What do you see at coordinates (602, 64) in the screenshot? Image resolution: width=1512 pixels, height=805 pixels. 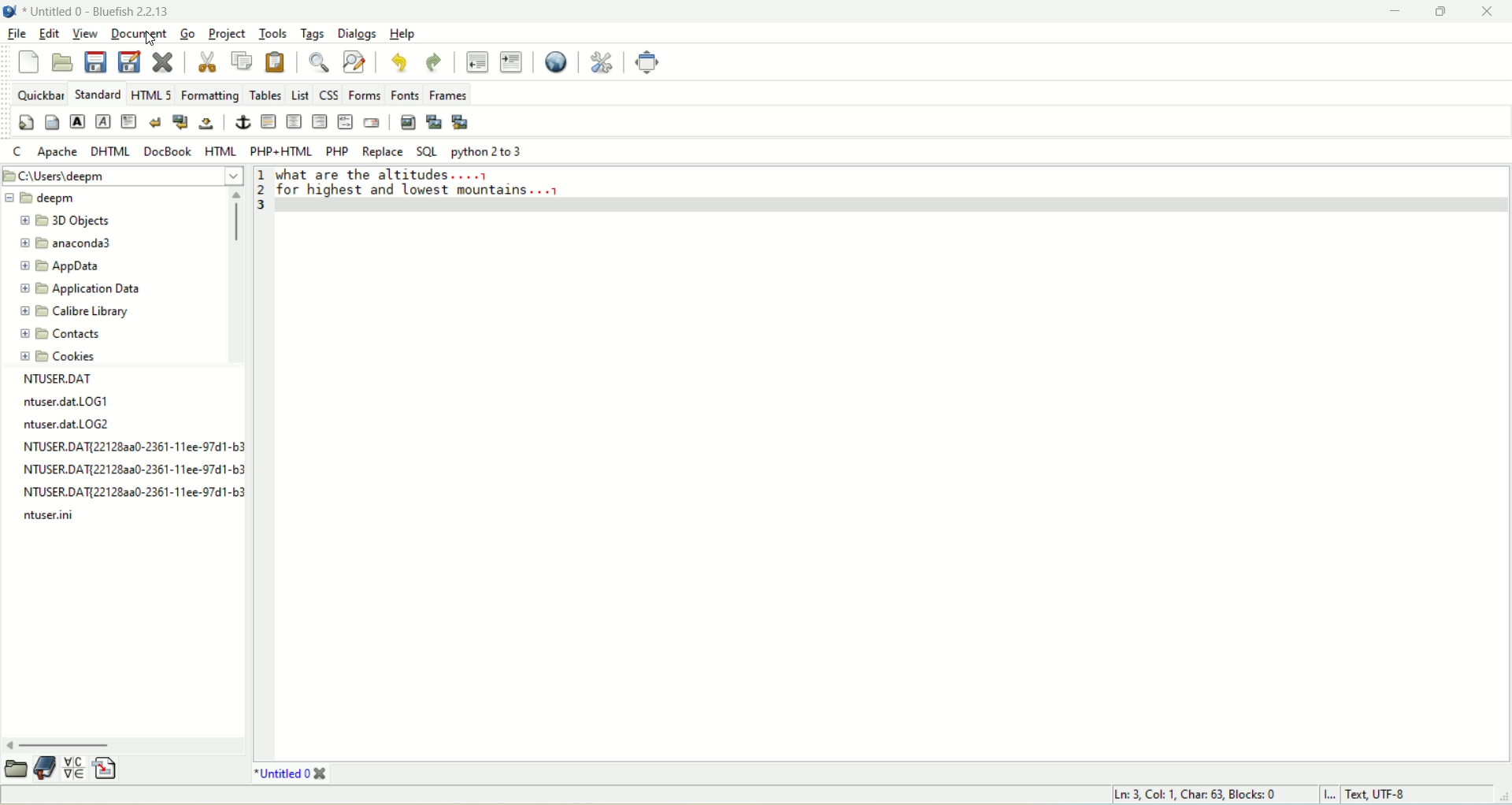 I see `edit preferences` at bounding box center [602, 64].